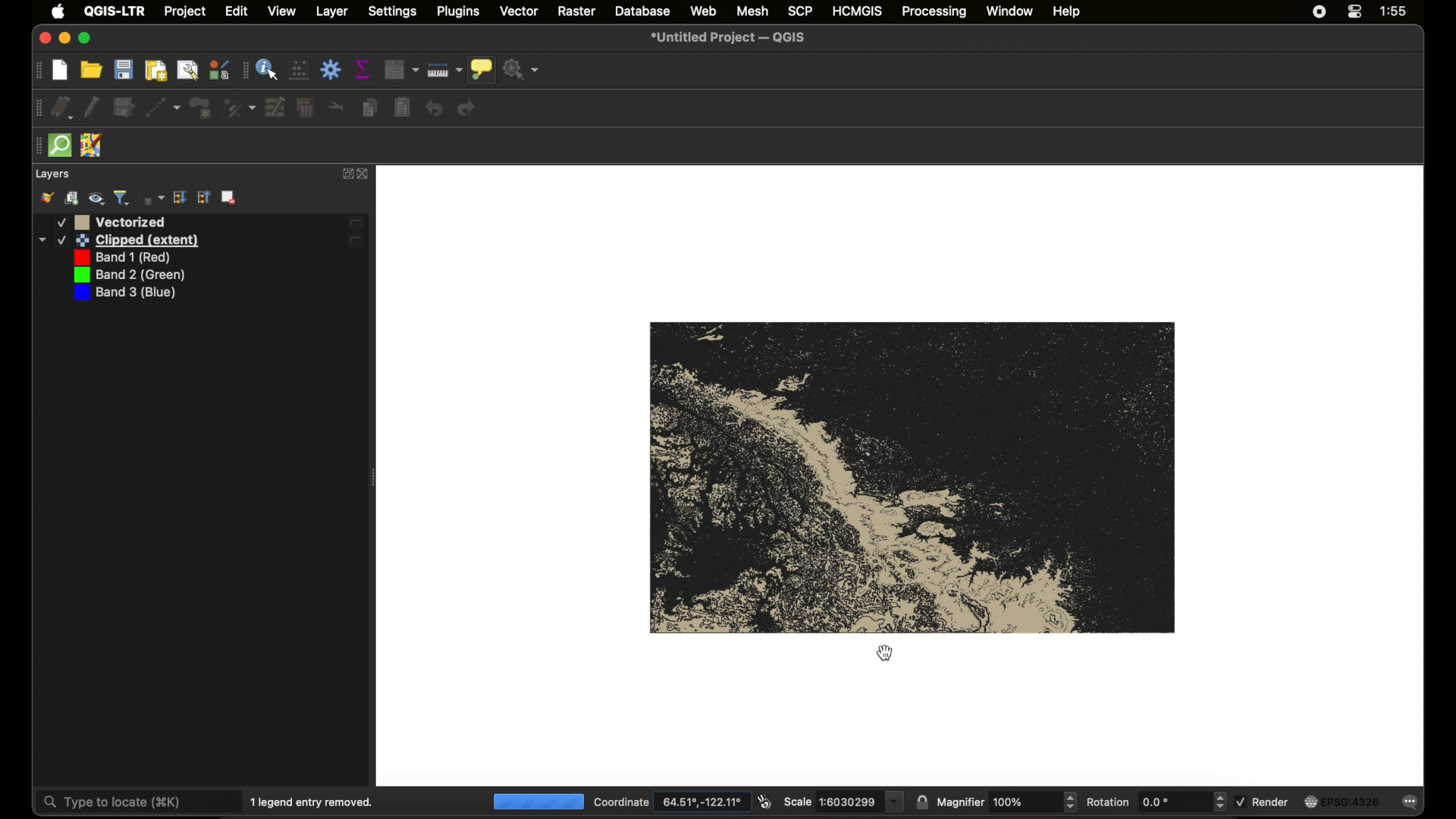 The image size is (1456, 819). What do you see at coordinates (52, 174) in the screenshot?
I see `layers` at bounding box center [52, 174].